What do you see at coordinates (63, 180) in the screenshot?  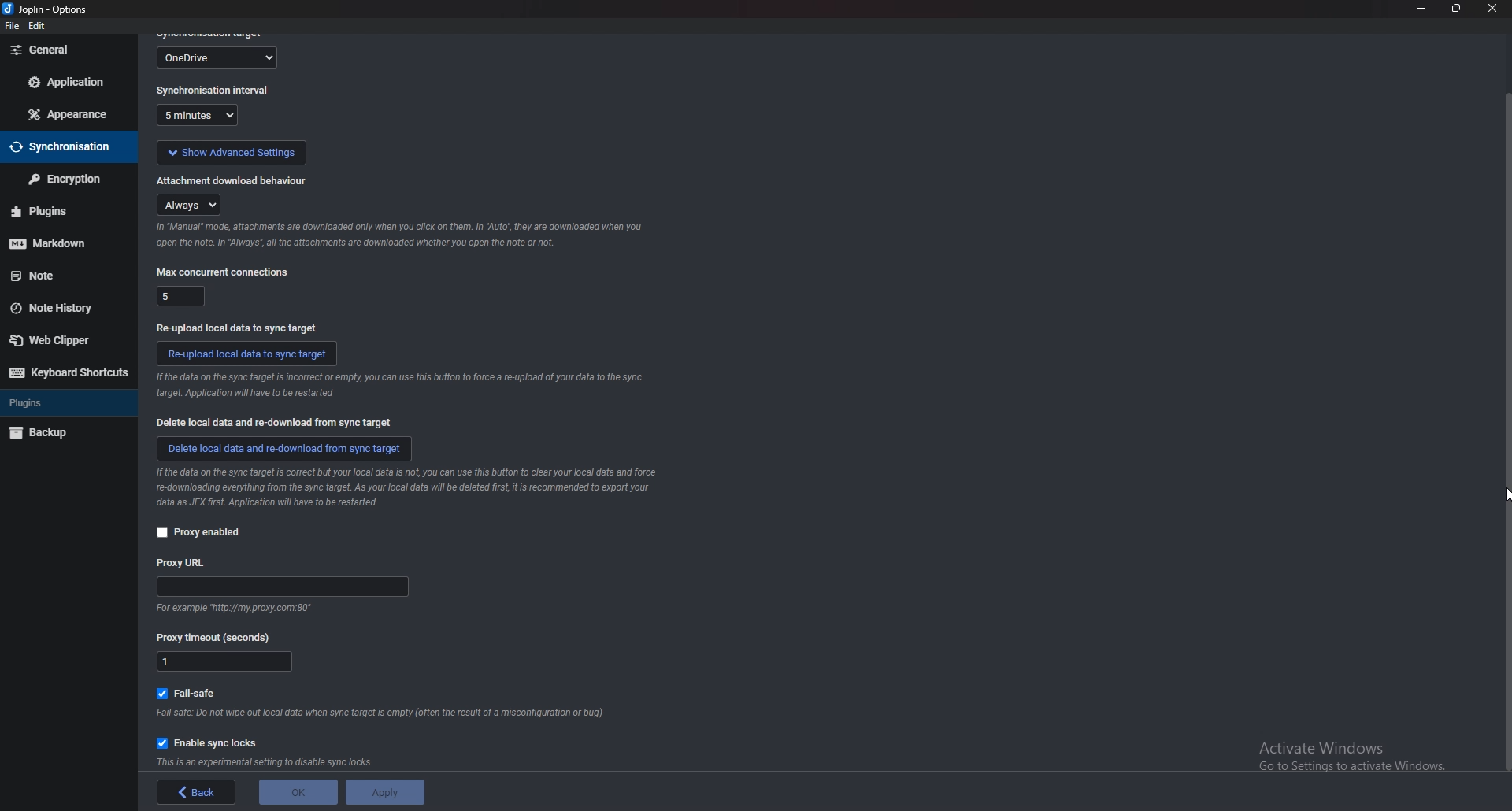 I see `encryption` at bounding box center [63, 180].